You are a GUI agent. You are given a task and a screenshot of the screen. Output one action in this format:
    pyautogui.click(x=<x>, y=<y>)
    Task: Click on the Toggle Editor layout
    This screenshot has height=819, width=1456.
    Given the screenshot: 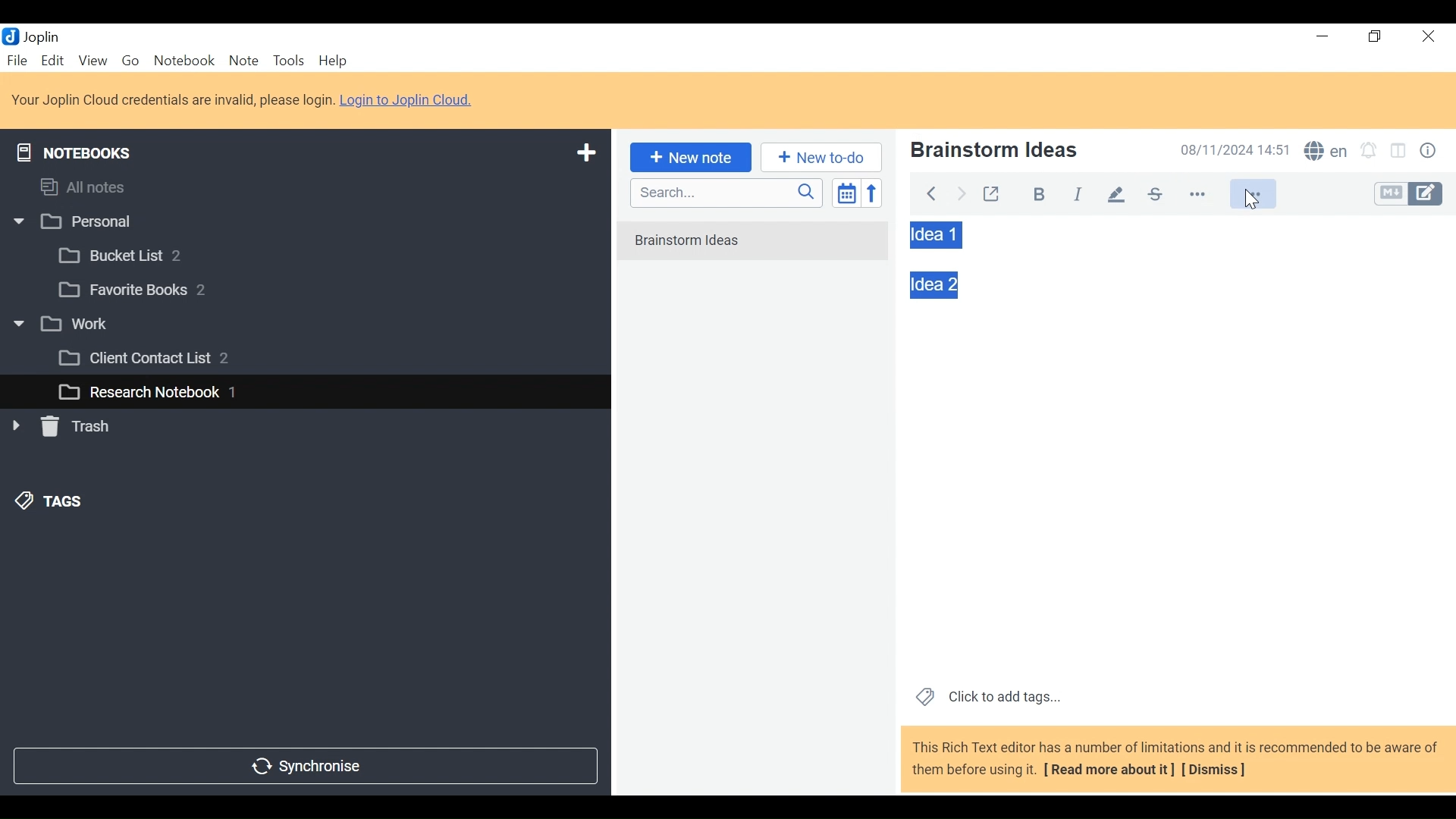 What is the action you would take?
    pyautogui.click(x=1399, y=152)
    